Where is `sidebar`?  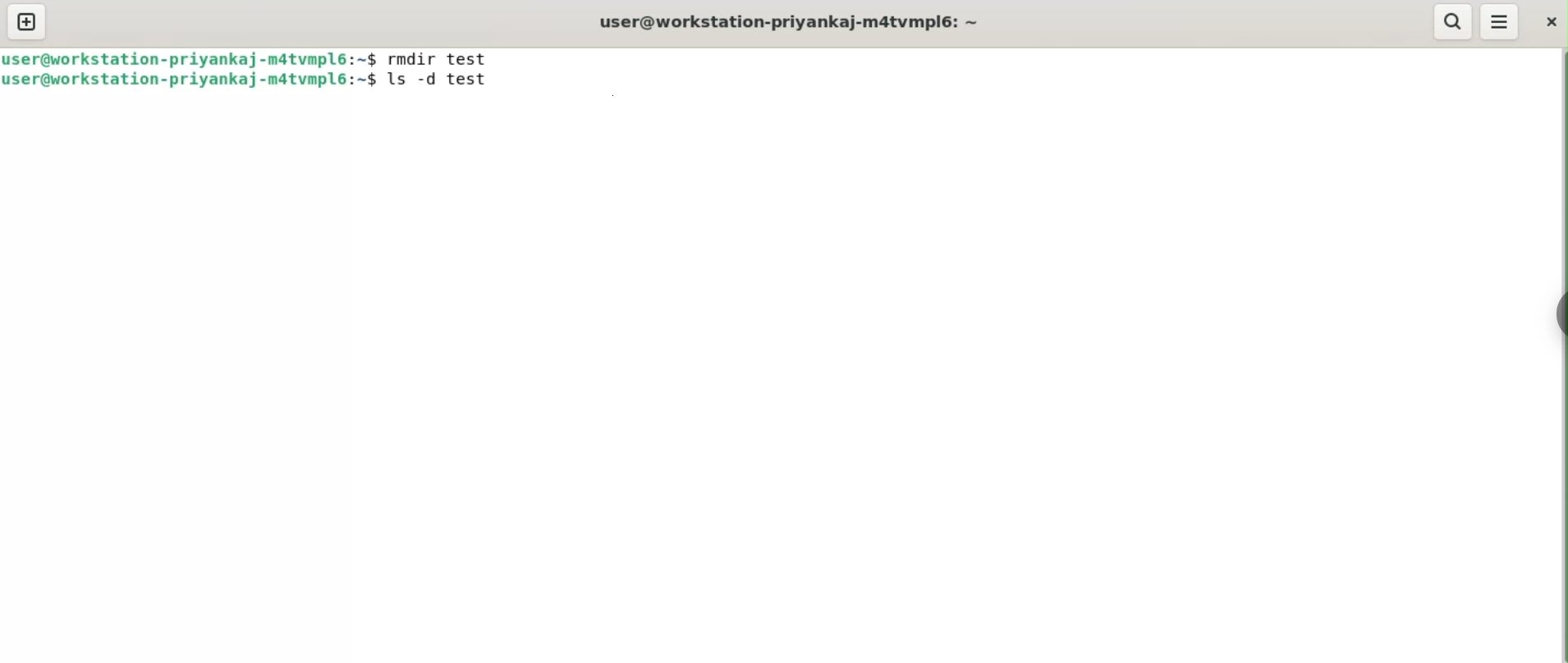
sidebar is located at coordinates (1558, 318).